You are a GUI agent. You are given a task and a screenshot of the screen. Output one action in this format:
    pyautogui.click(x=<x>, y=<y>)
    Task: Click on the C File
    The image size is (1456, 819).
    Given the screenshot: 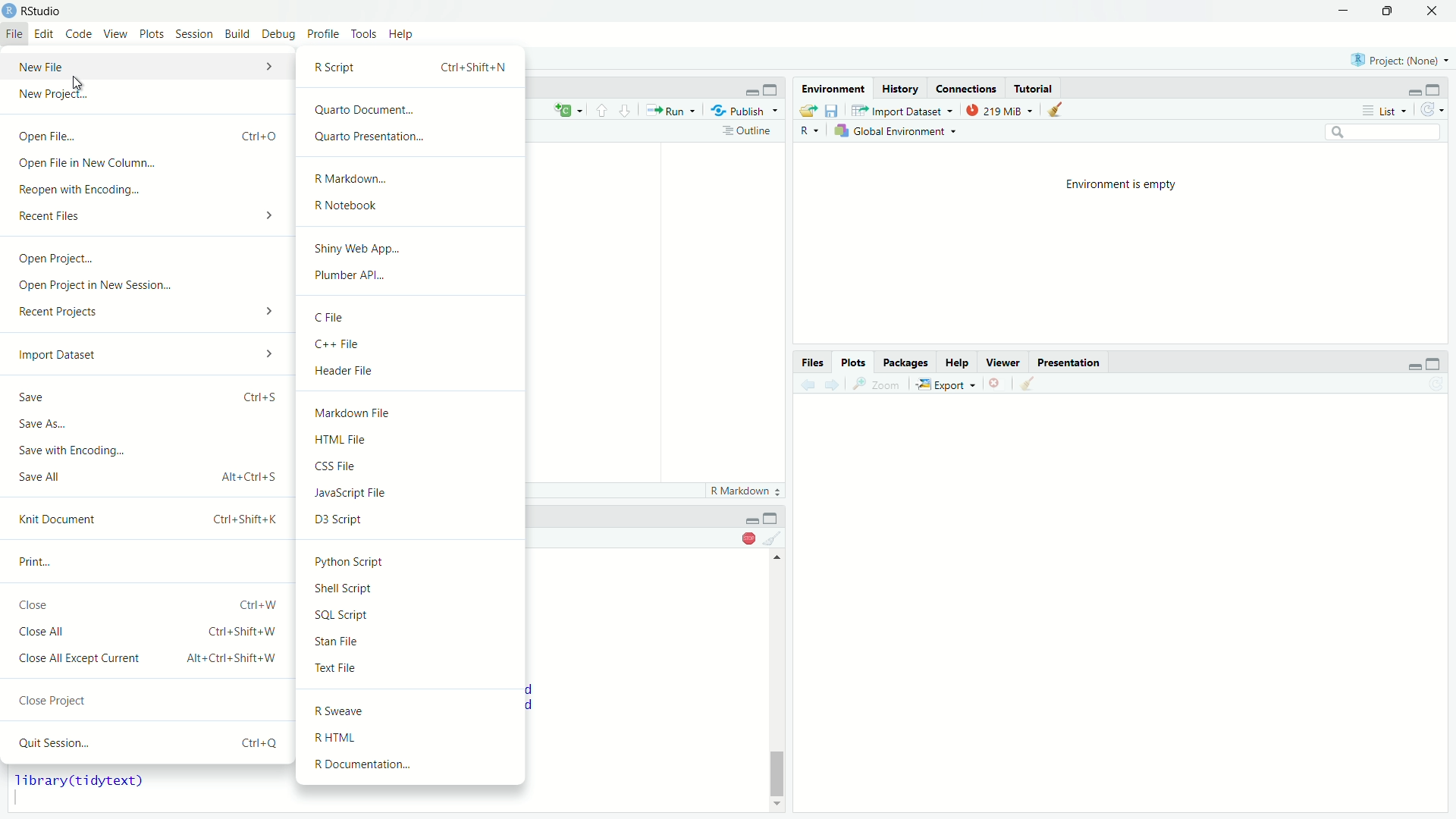 What is the action you would take?
    pyautogui.click(x=413, y=316)
    